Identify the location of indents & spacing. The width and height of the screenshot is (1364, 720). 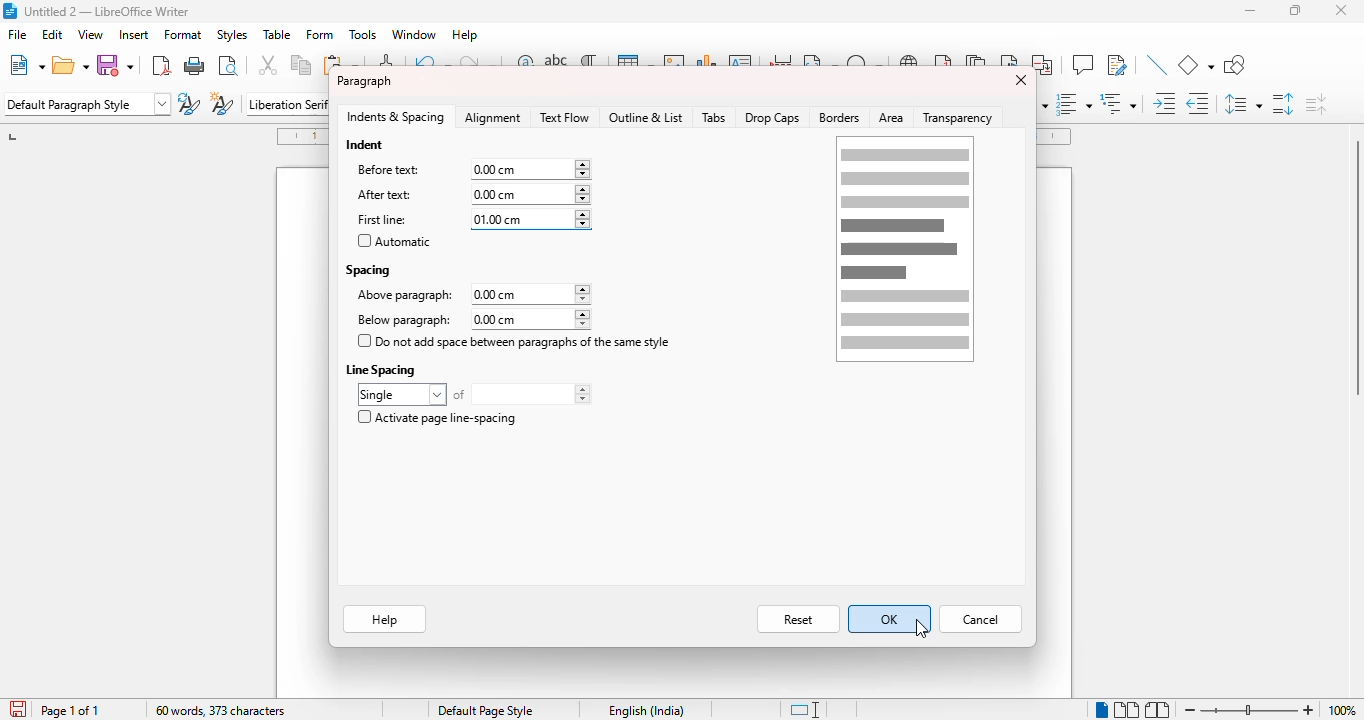
(396, 117).